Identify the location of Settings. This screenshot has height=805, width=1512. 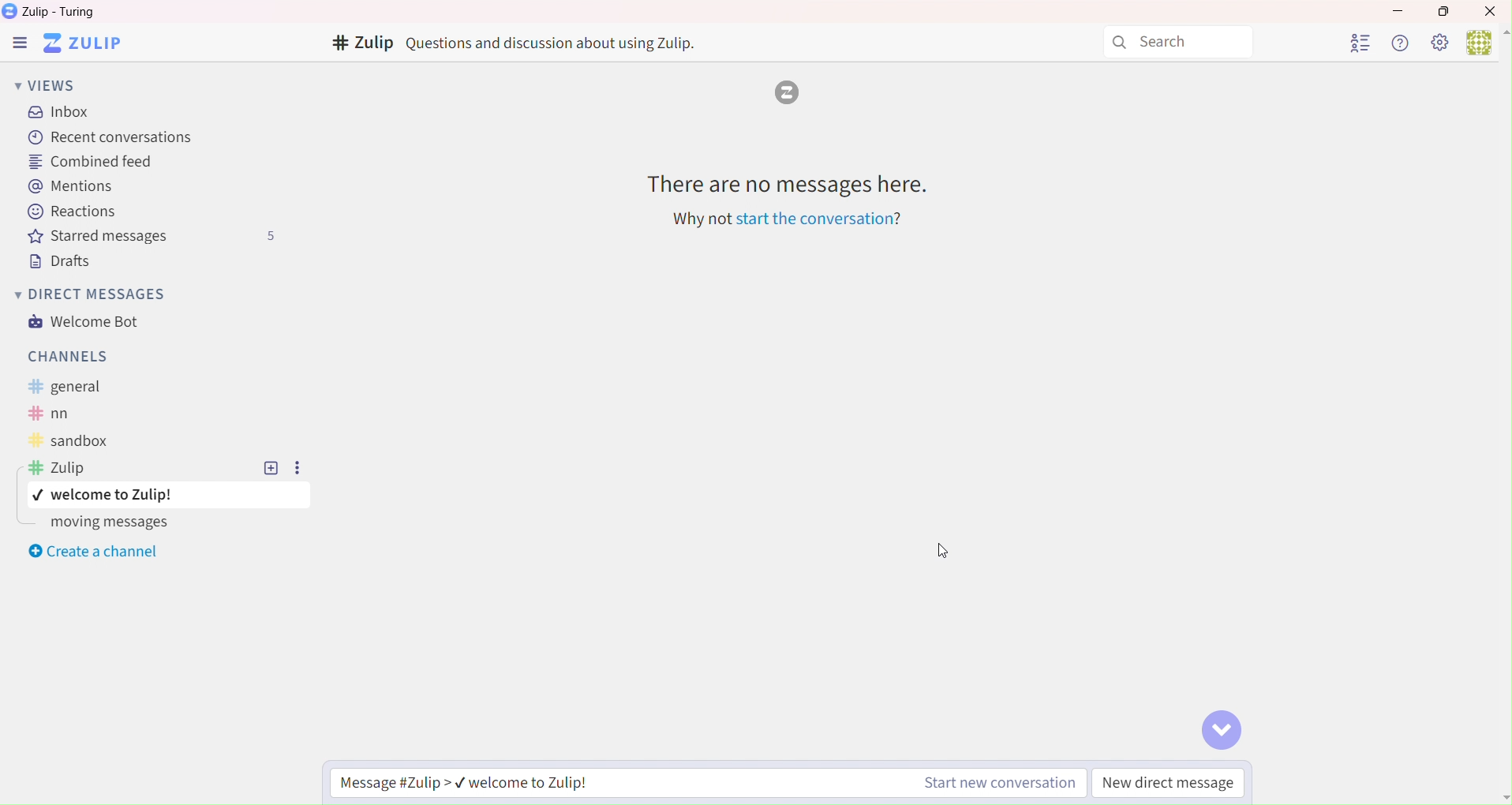
(1440, 45).